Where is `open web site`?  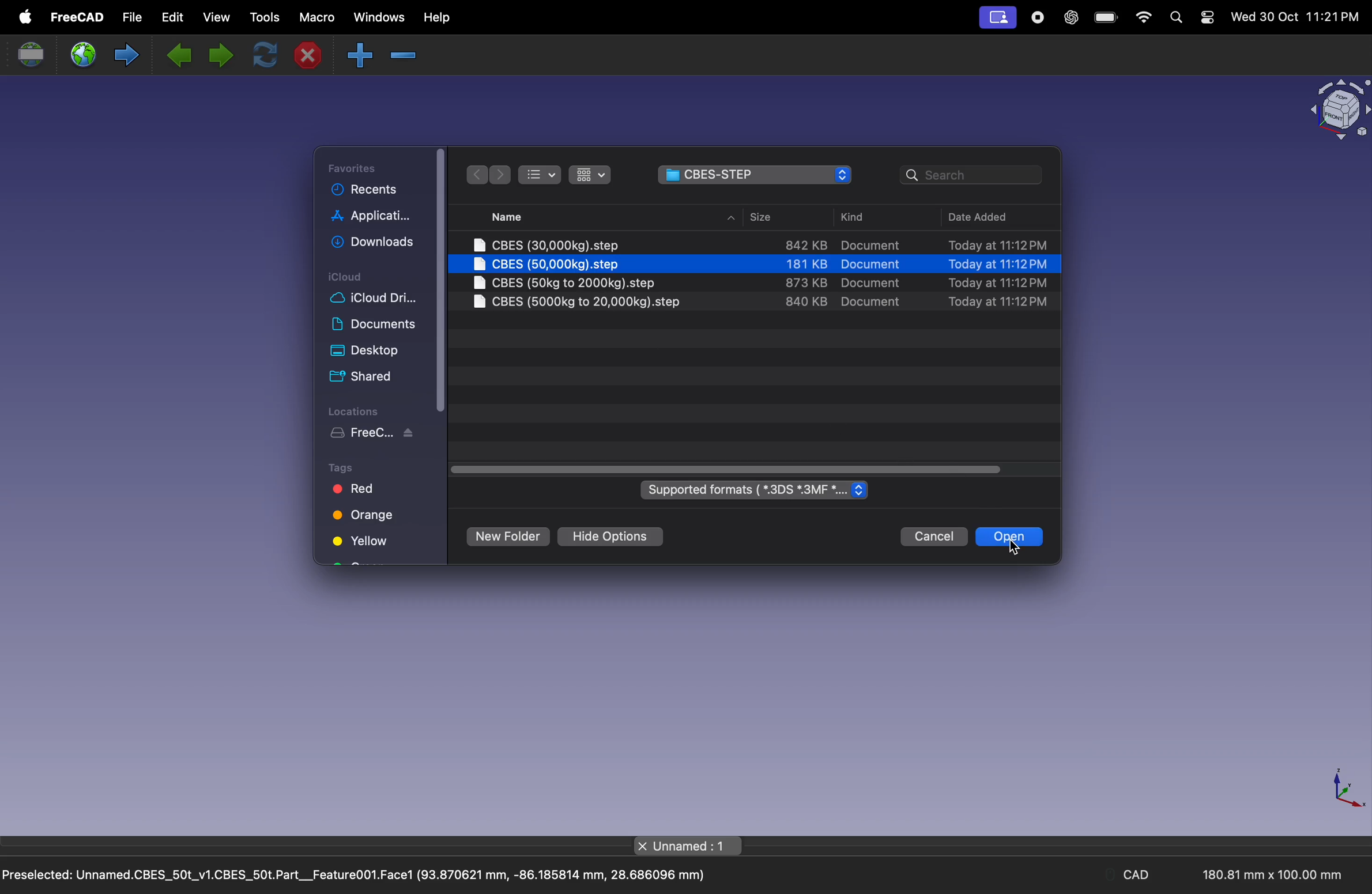
open web site is located at coordinates (82, 54).